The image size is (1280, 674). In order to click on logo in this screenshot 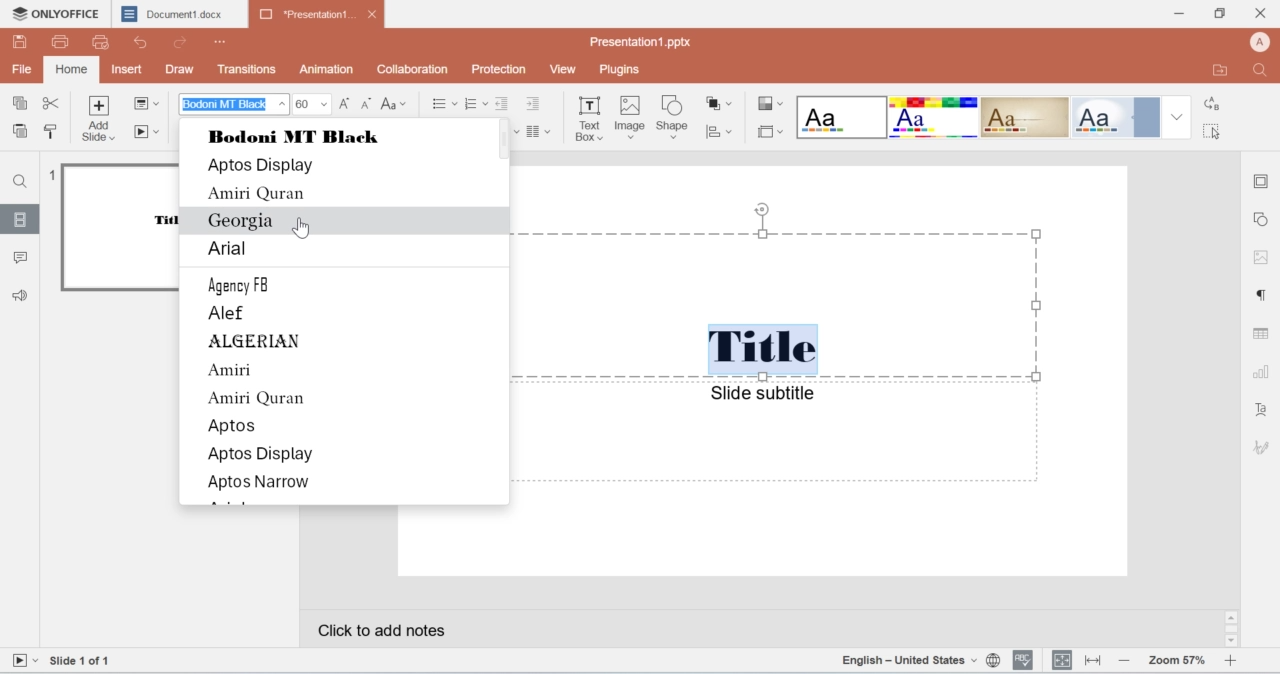, I will do `click(54, 13)`.